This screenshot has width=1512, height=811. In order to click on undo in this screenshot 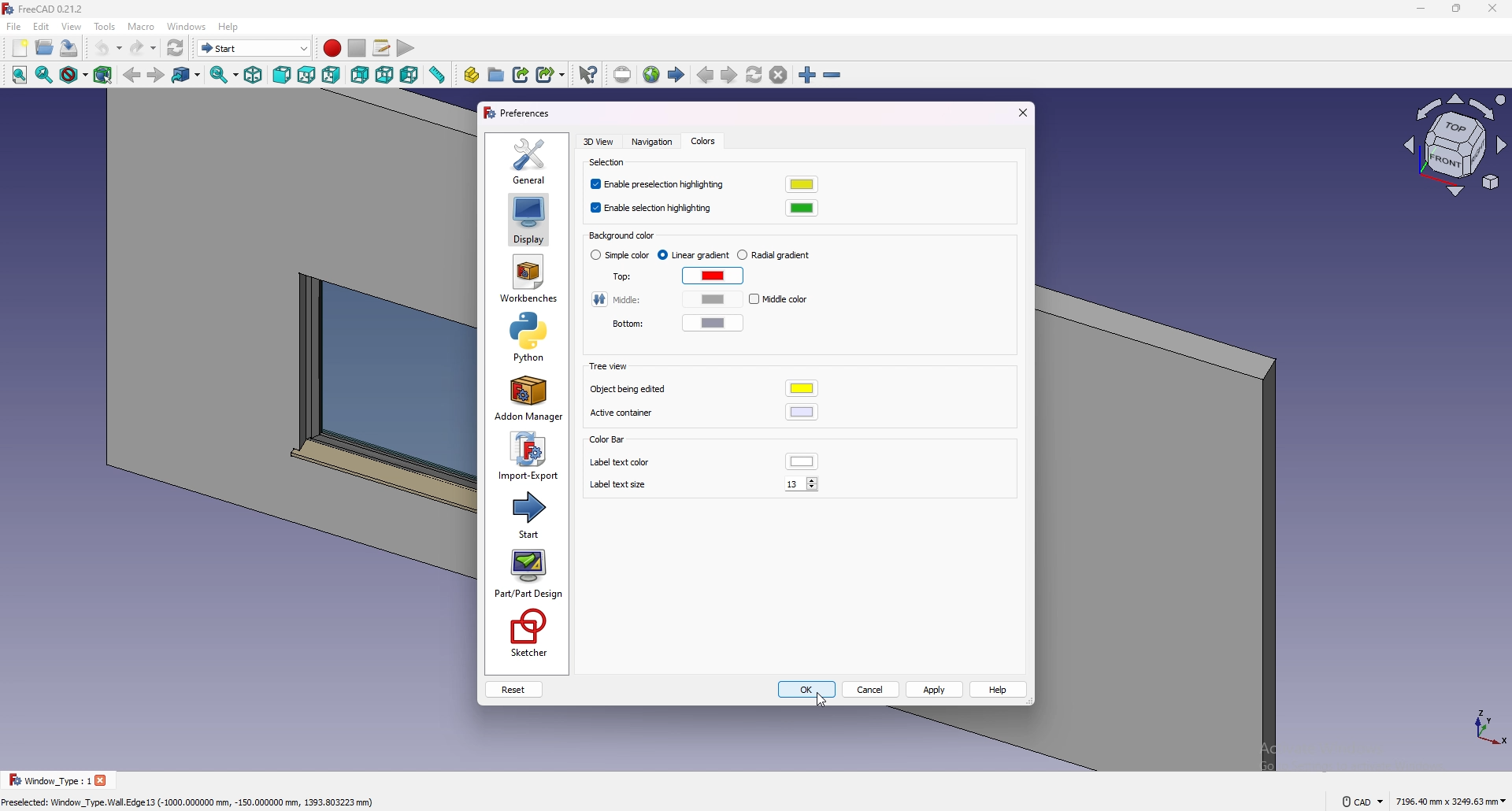, I will do `click(108, 48)`.